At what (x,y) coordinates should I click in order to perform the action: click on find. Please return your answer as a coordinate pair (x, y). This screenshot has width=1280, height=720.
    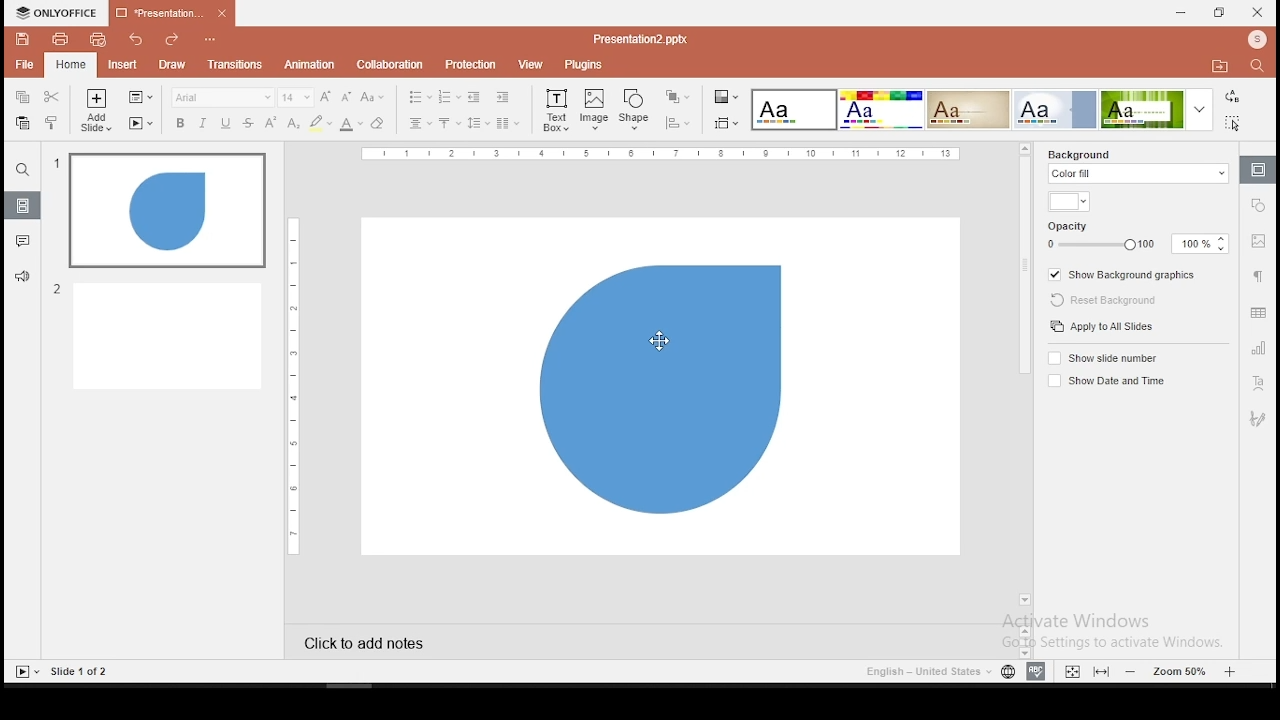
    Looking at the image, I should click on (1257, 65).